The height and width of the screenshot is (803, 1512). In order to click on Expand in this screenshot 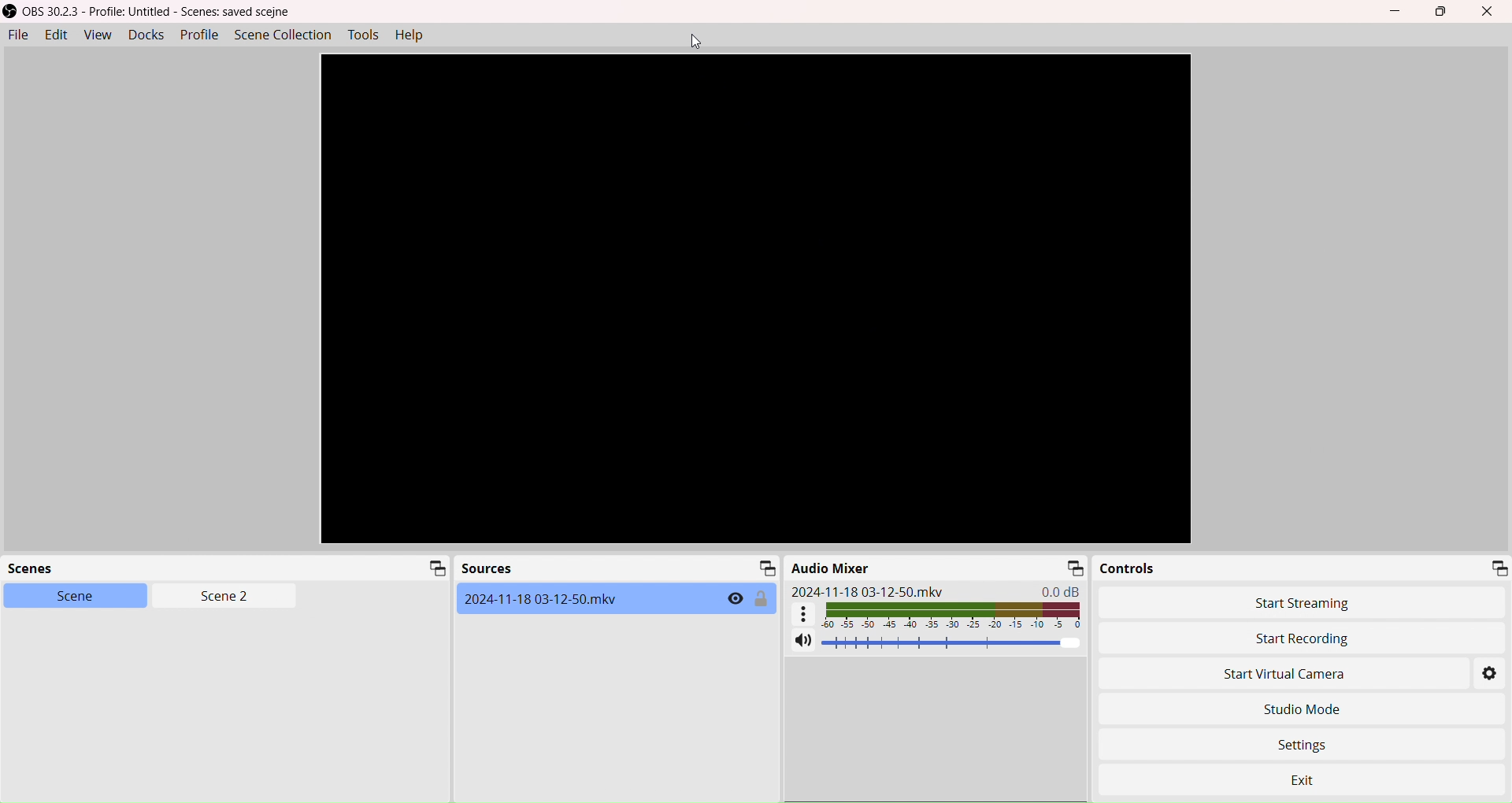, I will do `click(764, 568)`.